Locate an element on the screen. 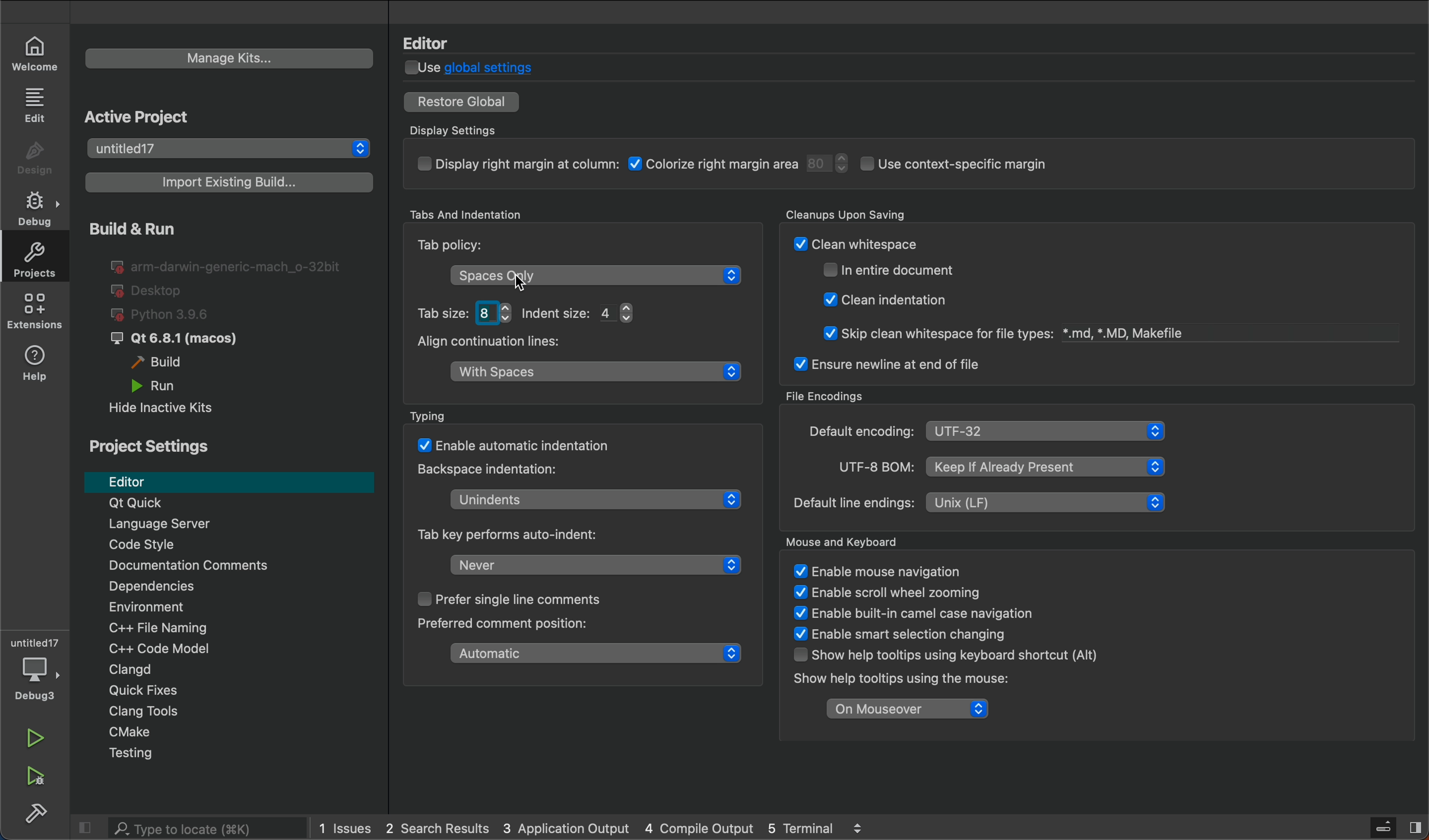  manage kits is located at coordinates (227, 58).